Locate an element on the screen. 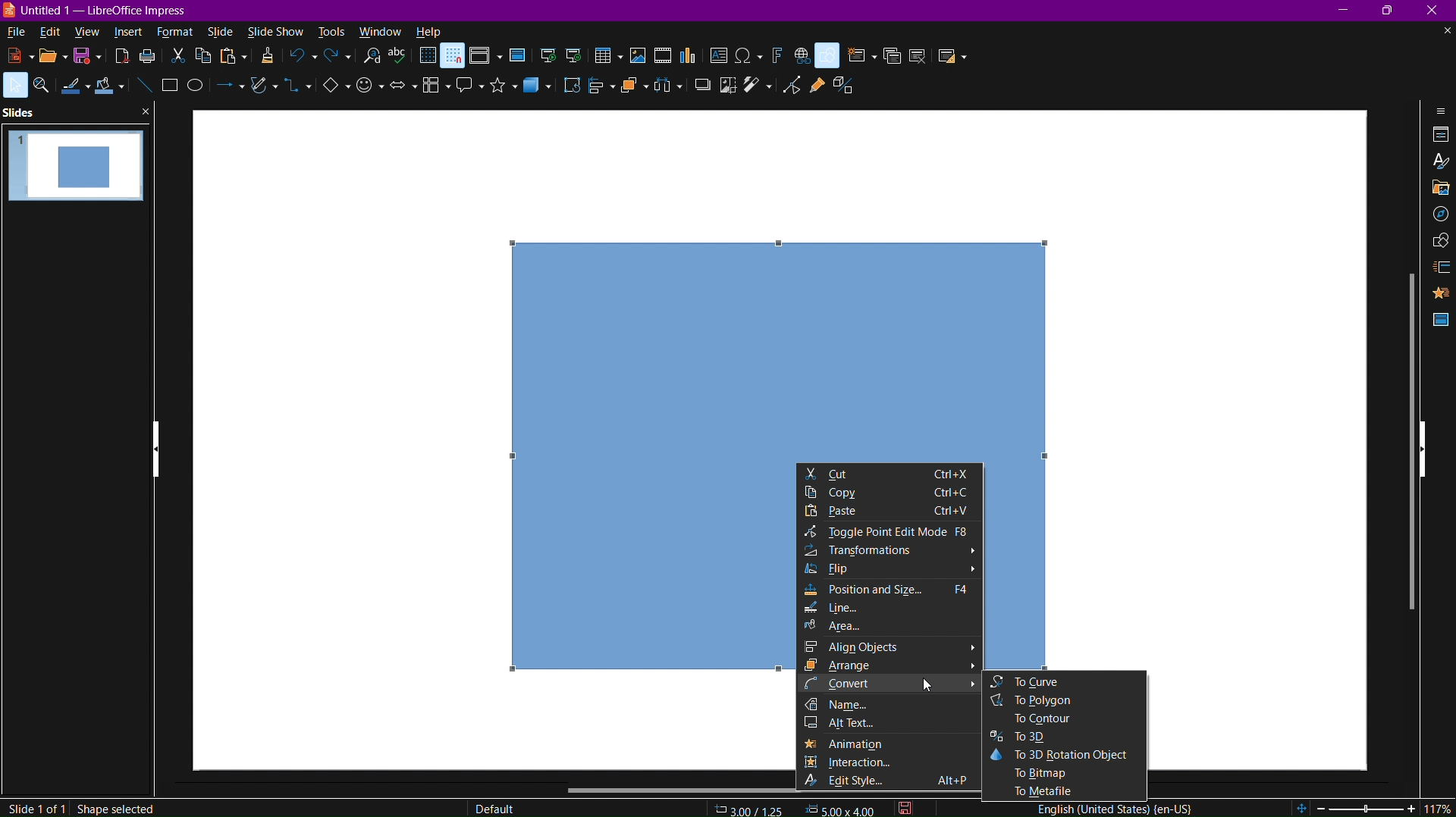 The height and width of the screenshot is (817, 1456). Copy Formatting is located at coordinates (267, 59).